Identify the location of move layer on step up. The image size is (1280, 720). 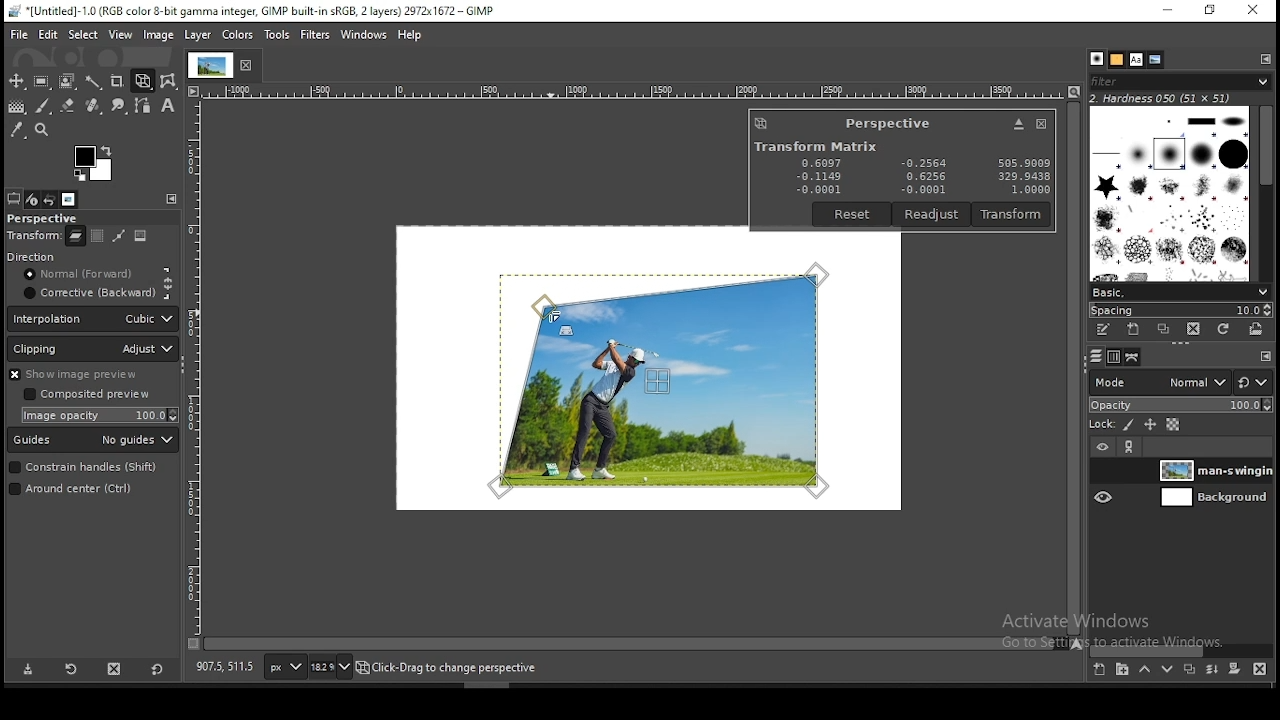
(1142, 669).